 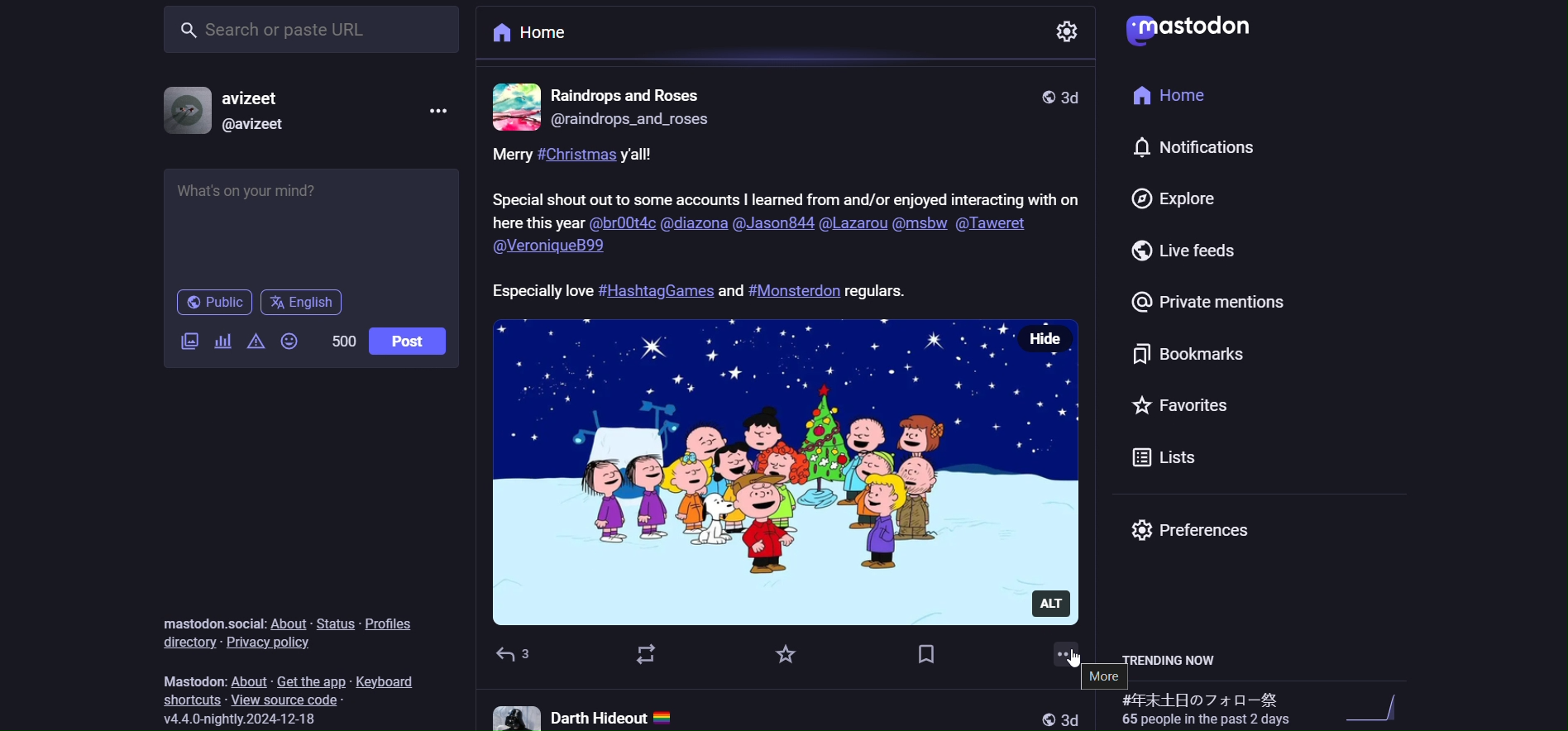 What do you see at coordinates (636, 120) in the screenshot?
I see `id` at bounding box center [636, 120].